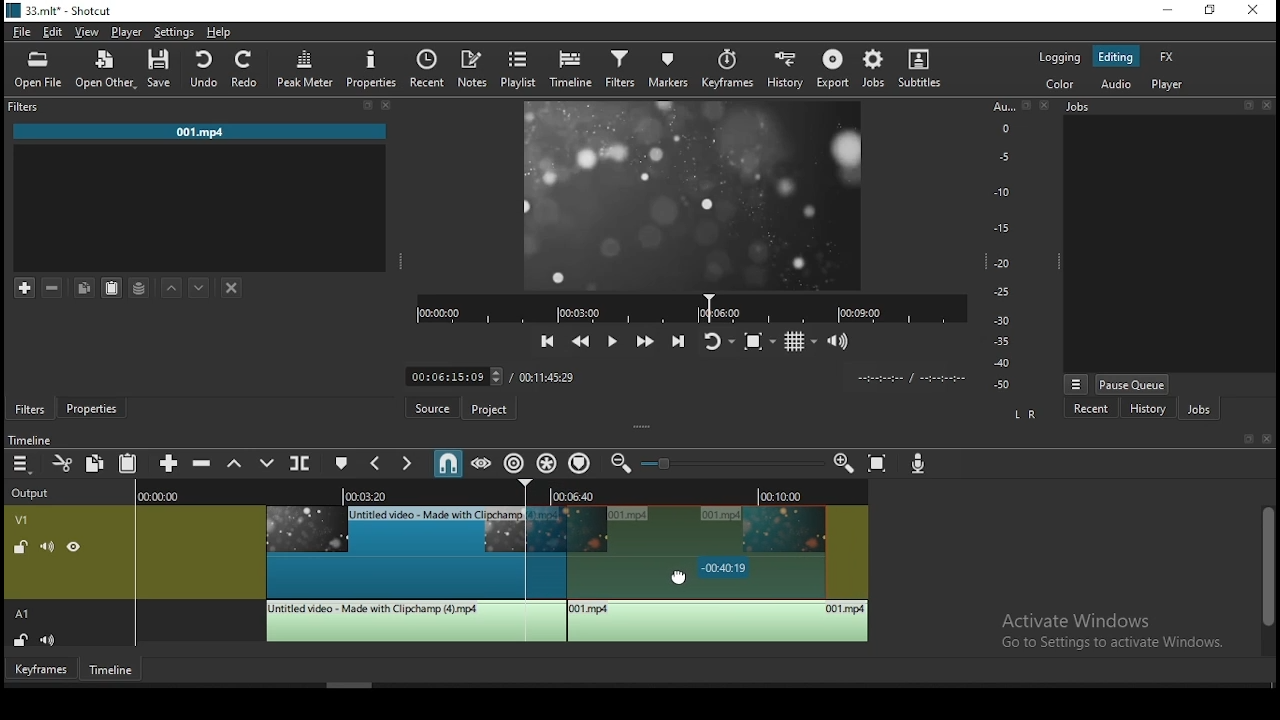  I want to click on close window, so click(1255, 12).